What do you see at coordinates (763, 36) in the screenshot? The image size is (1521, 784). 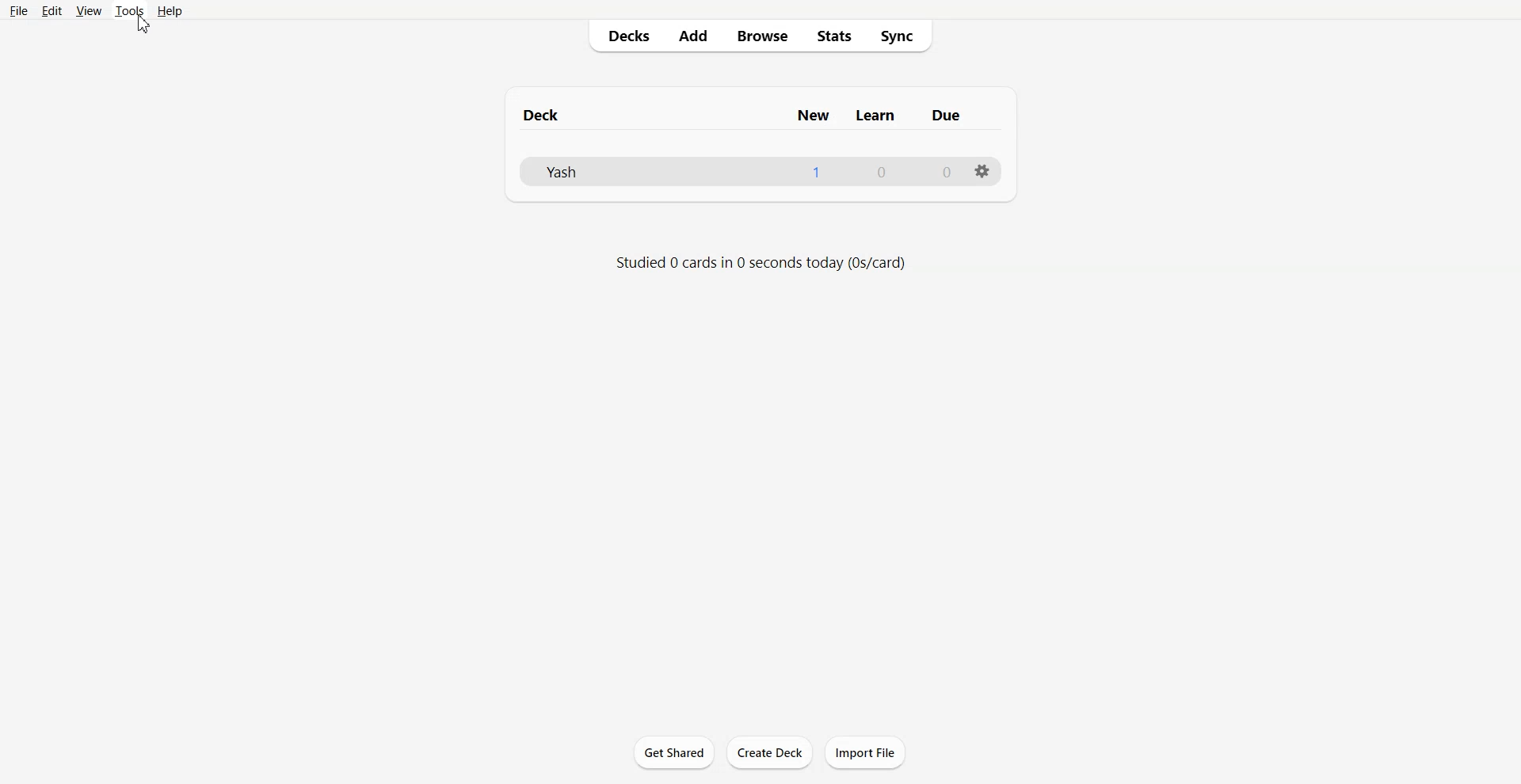 I see `Browse` at bounding box center [763, 36].